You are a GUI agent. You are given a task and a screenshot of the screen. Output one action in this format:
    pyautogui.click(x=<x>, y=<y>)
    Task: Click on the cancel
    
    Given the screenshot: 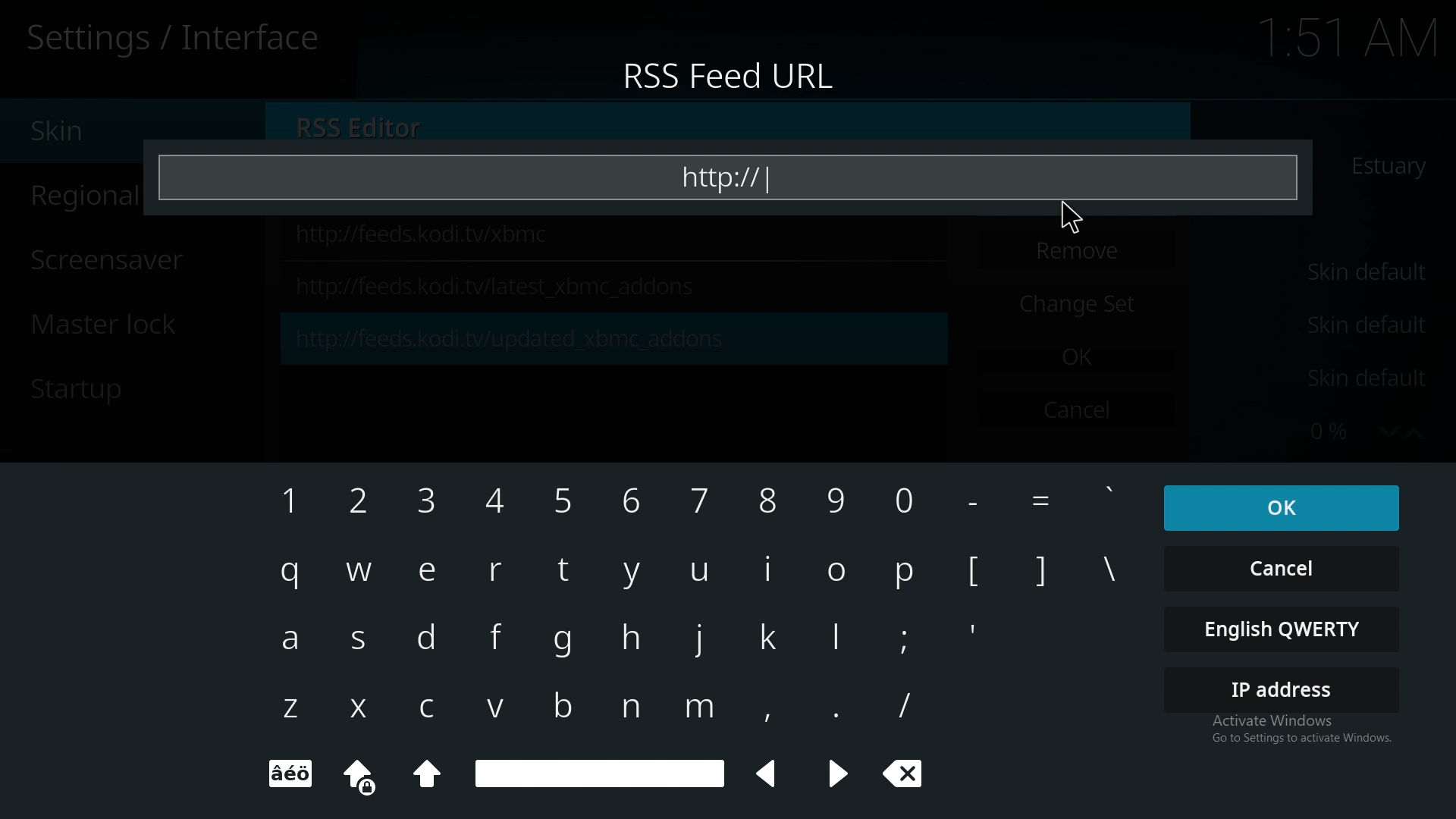 What is the action you would take?
    pyautogui.click(x=1284, y=570)
    